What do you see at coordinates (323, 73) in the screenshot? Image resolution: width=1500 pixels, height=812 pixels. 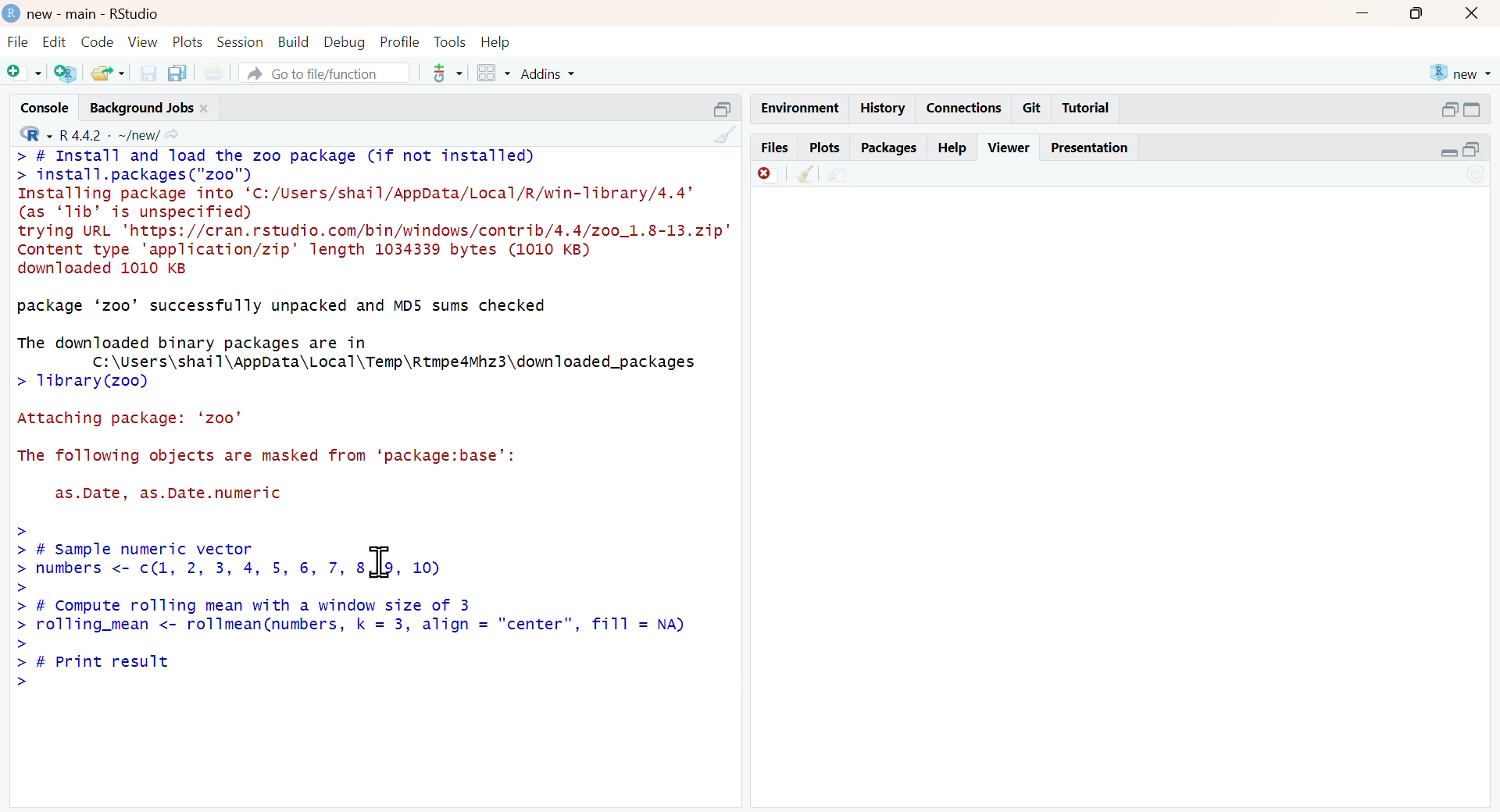 I see `go to file/function` at bounding box center [323, 73].